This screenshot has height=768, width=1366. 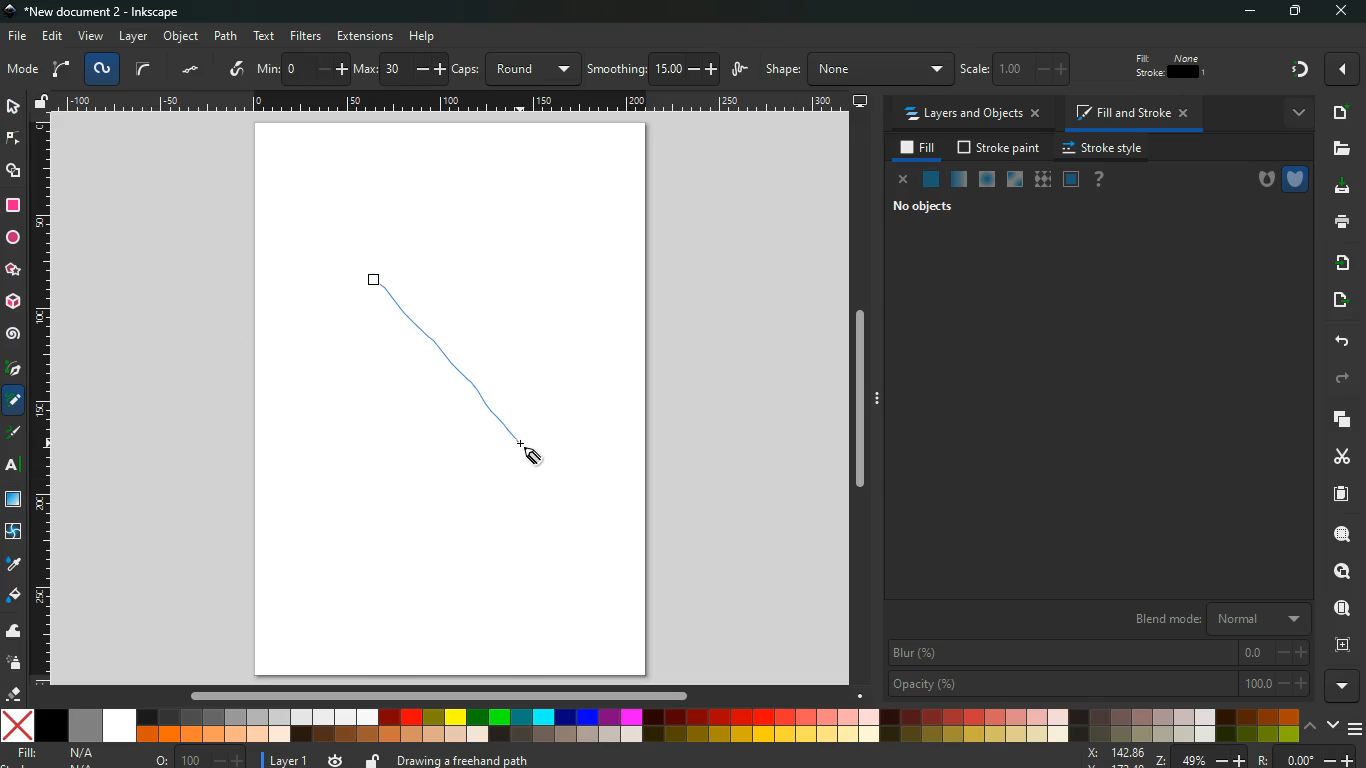 I want to click on dots, so click(x=191, y=72).